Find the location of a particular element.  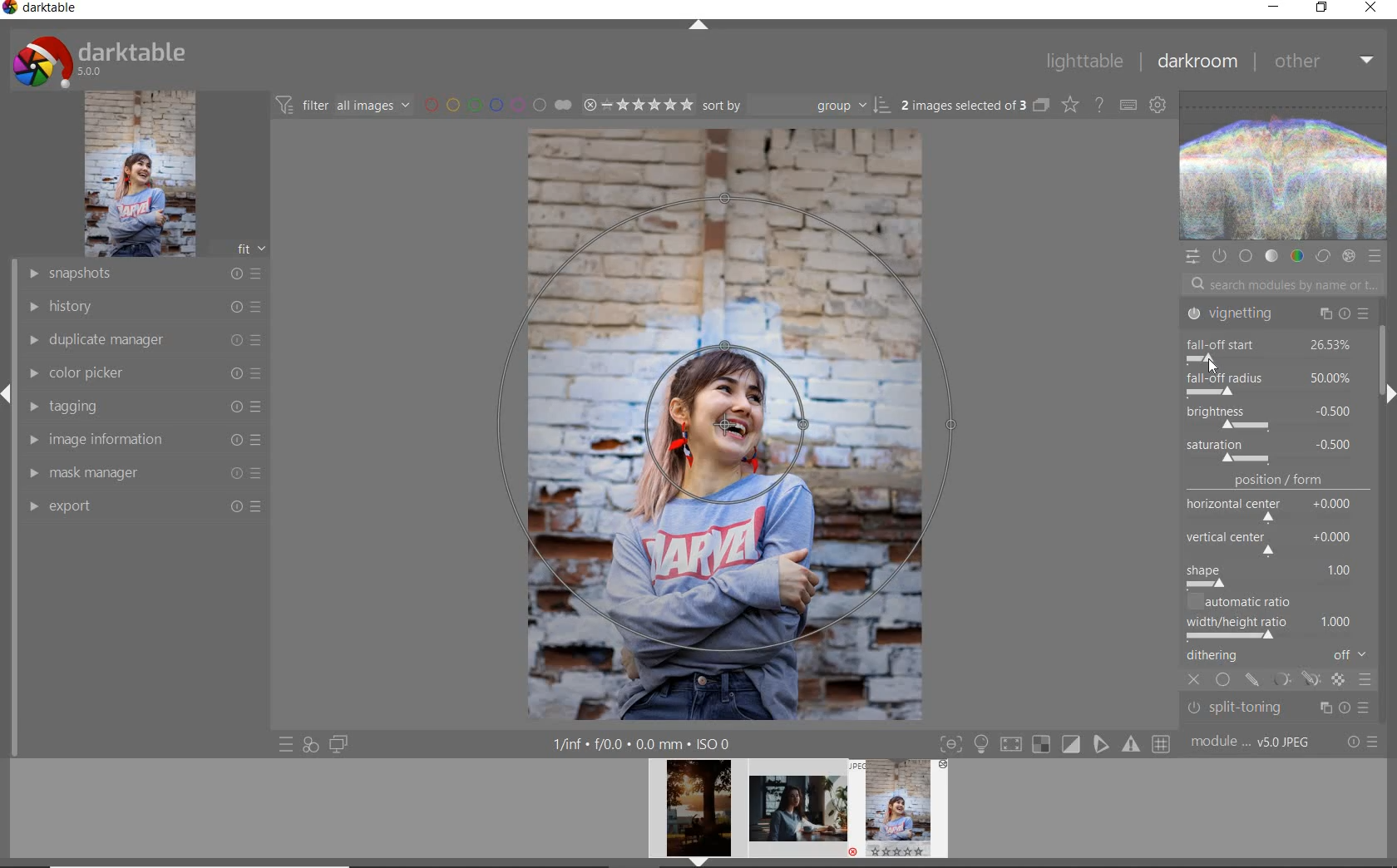

masking options is located at coordinates (1295, 682).